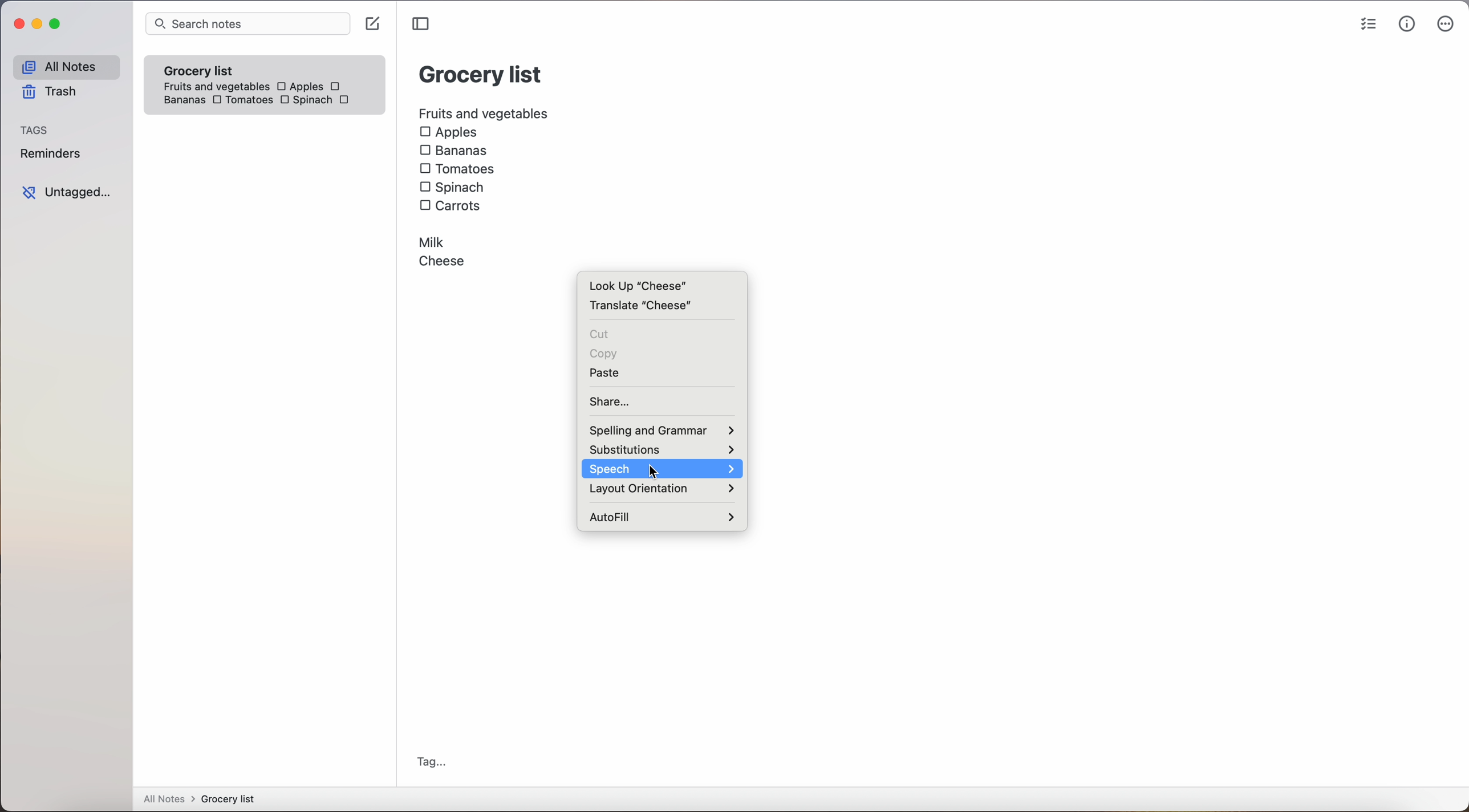 This screenshot has width=1469, height=812. I want to click on layout orientation, so click(663, 490).